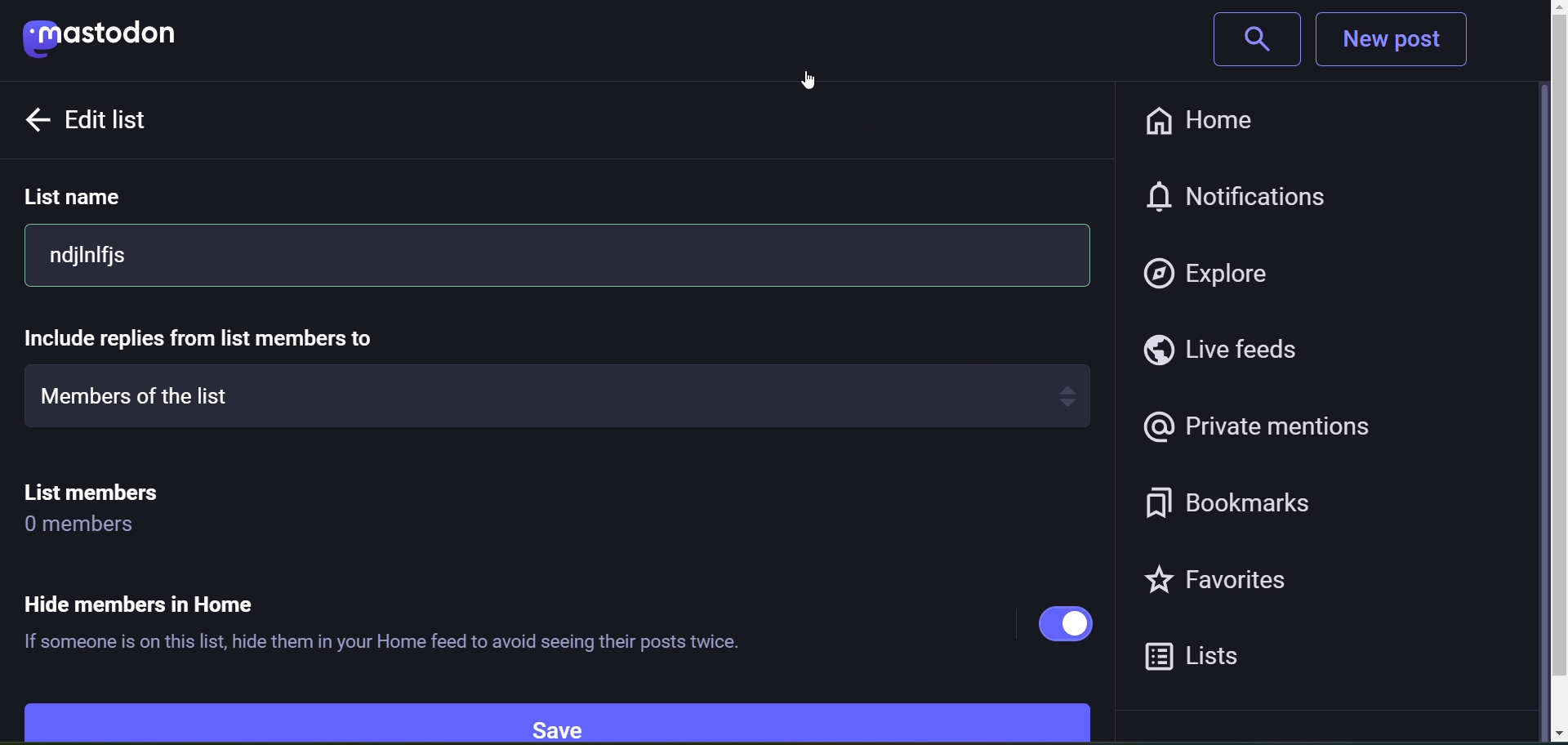  I want to click on cursor, so click(810, 72).